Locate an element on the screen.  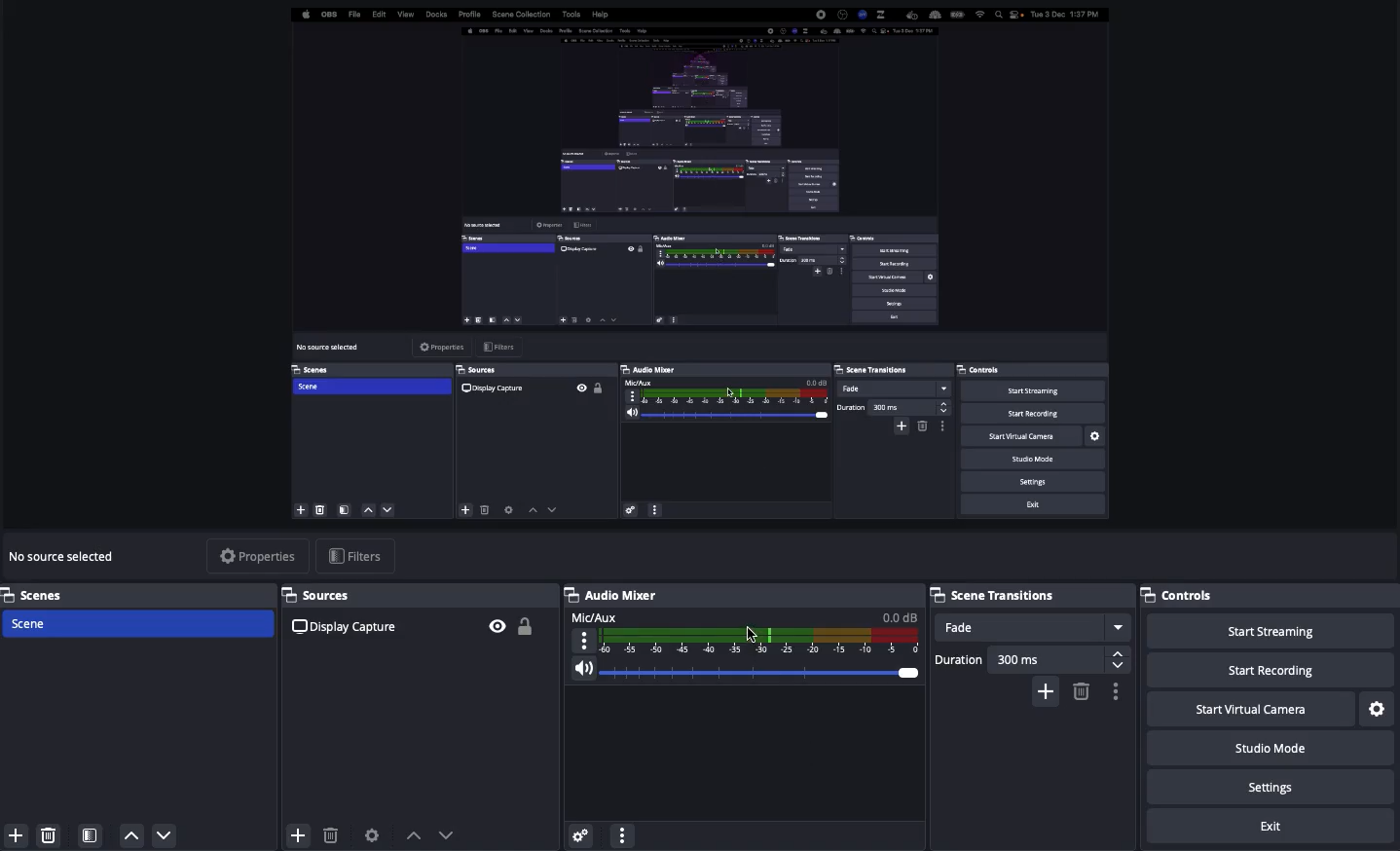
Remove is located at coordinates (1083, 690).